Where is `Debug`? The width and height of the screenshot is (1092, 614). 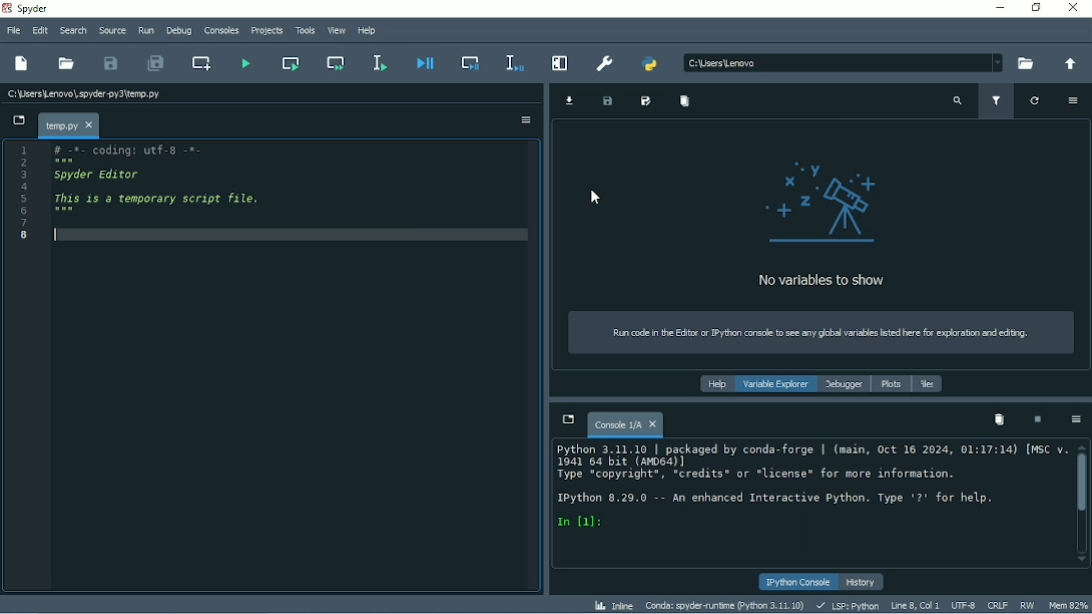 Debug is located at coordinates (179, 31).